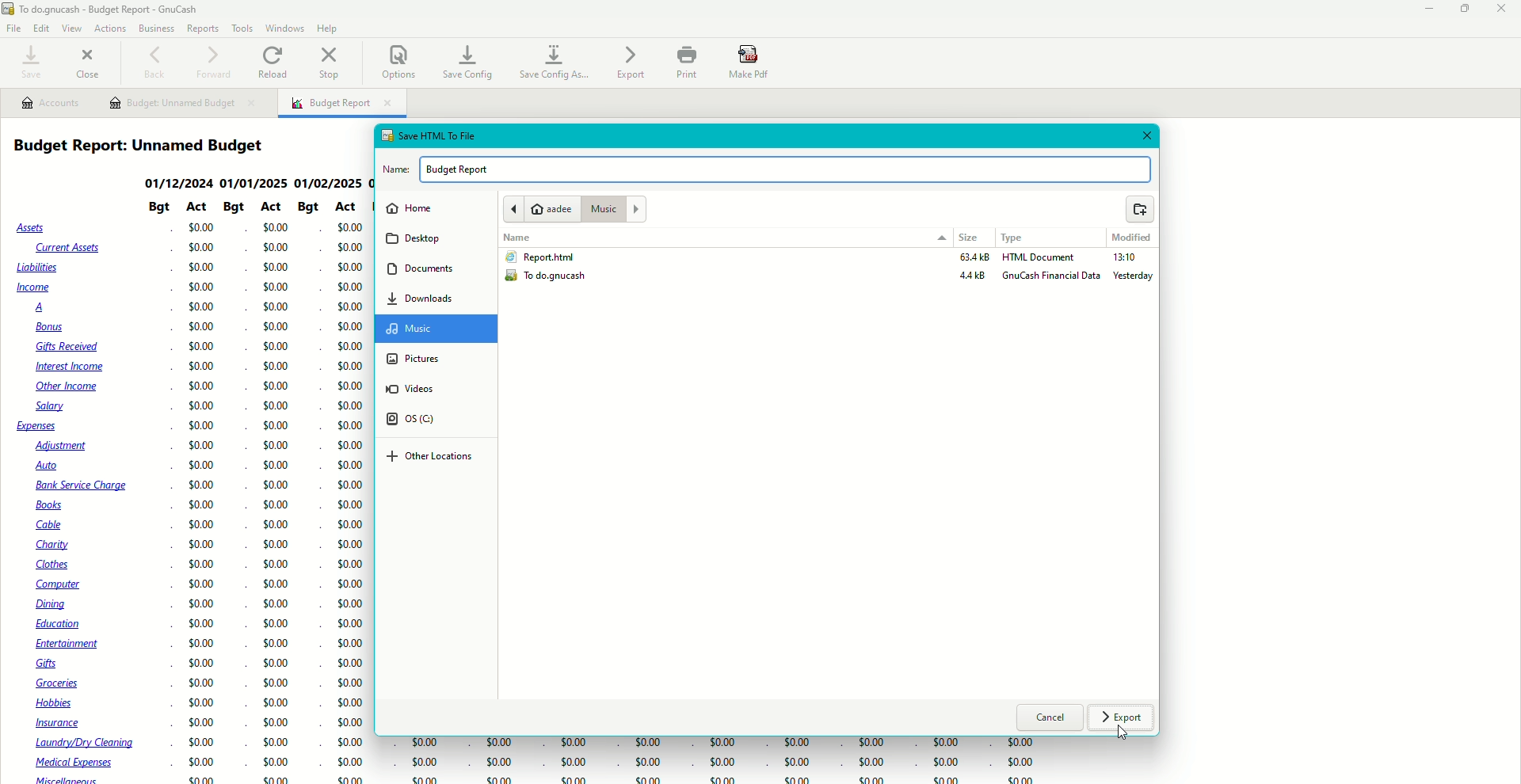 Image resolution: width=1521 pixels, height=784 pixels. What do you see at coordinates (685, 63) in the screenshot?
I see `Print` at bounding box center [685, 63].